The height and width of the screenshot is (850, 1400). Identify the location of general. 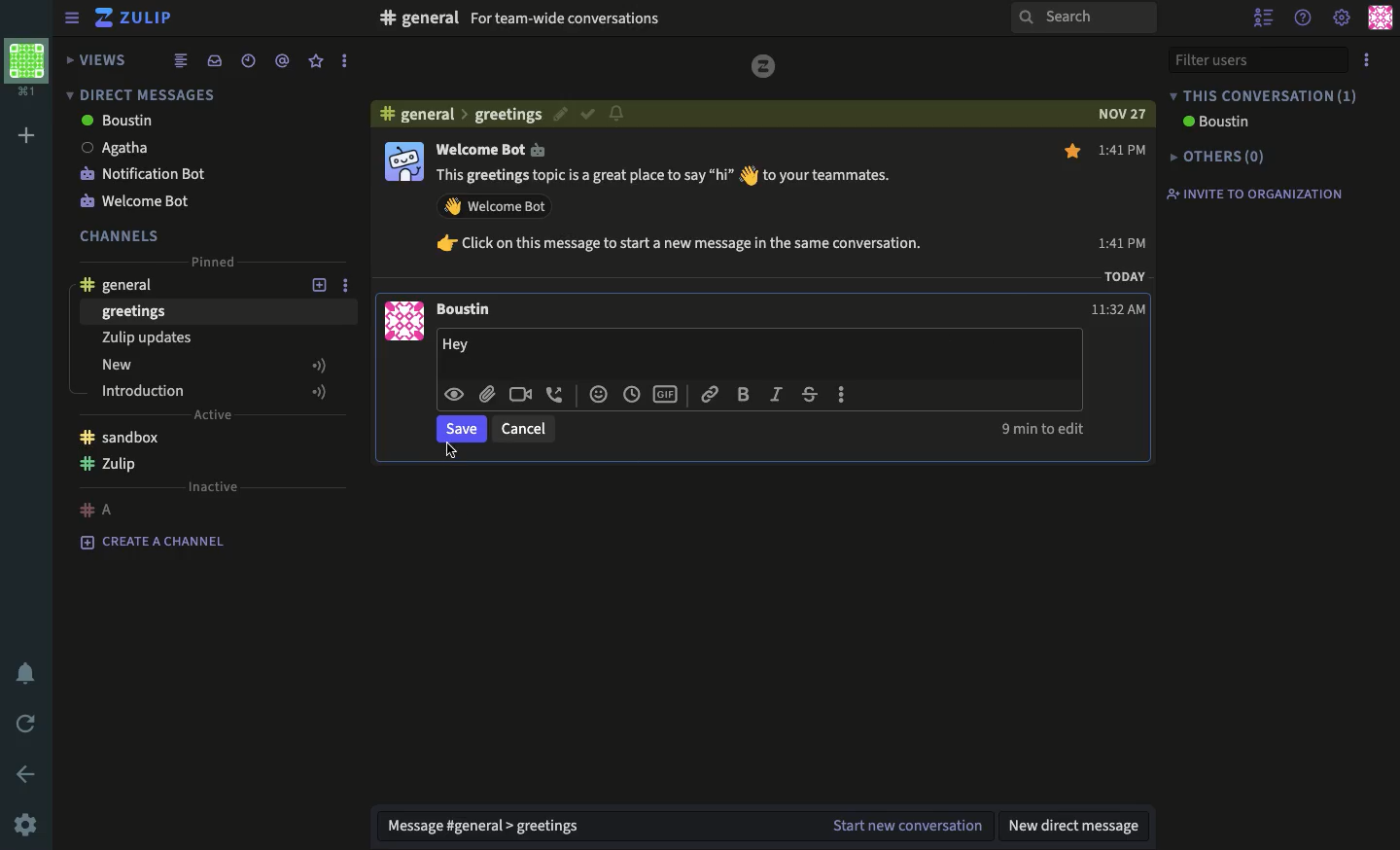
(126, 282).